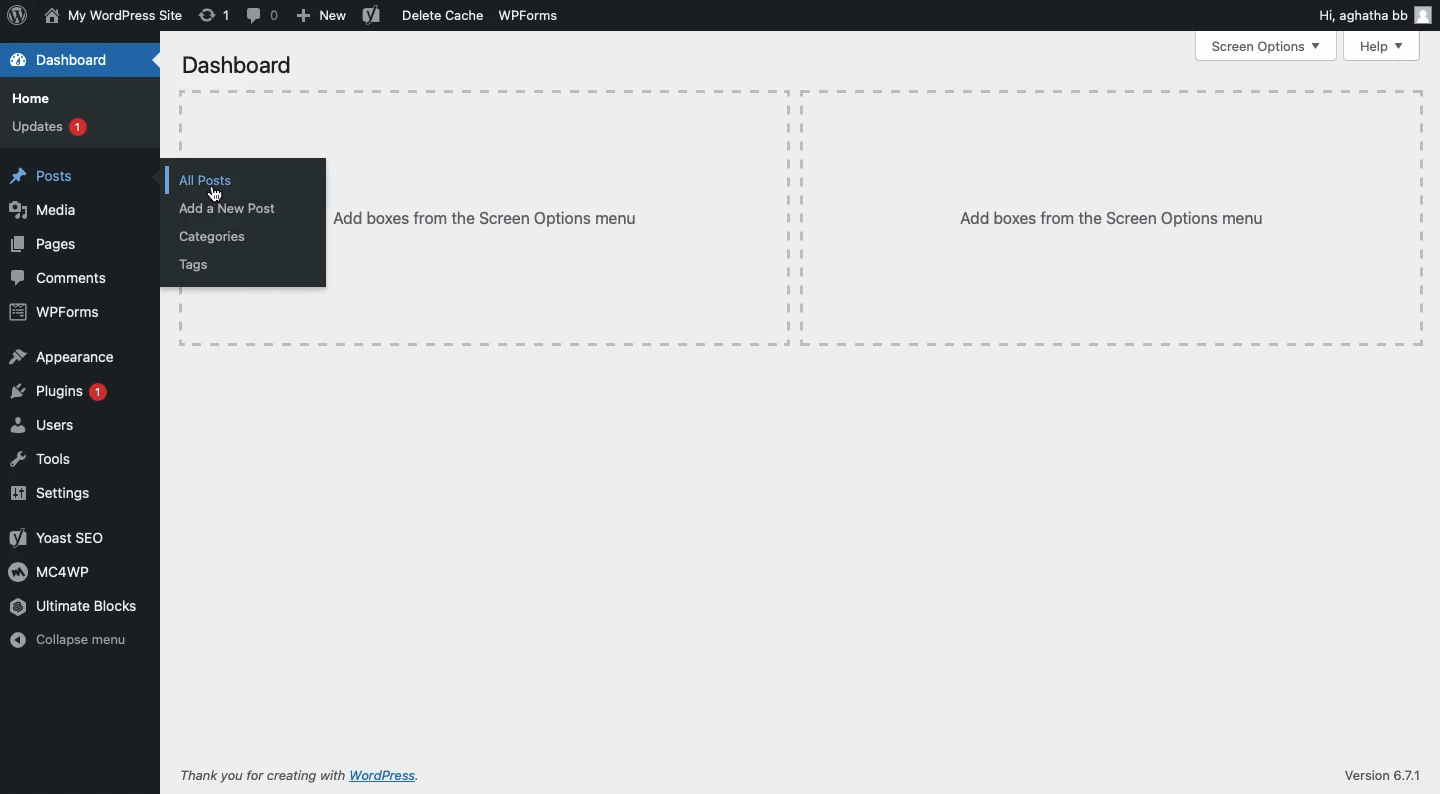 The width and height of the screenshot is (1440, 794). I want to click on Tags, so click(194, 267).